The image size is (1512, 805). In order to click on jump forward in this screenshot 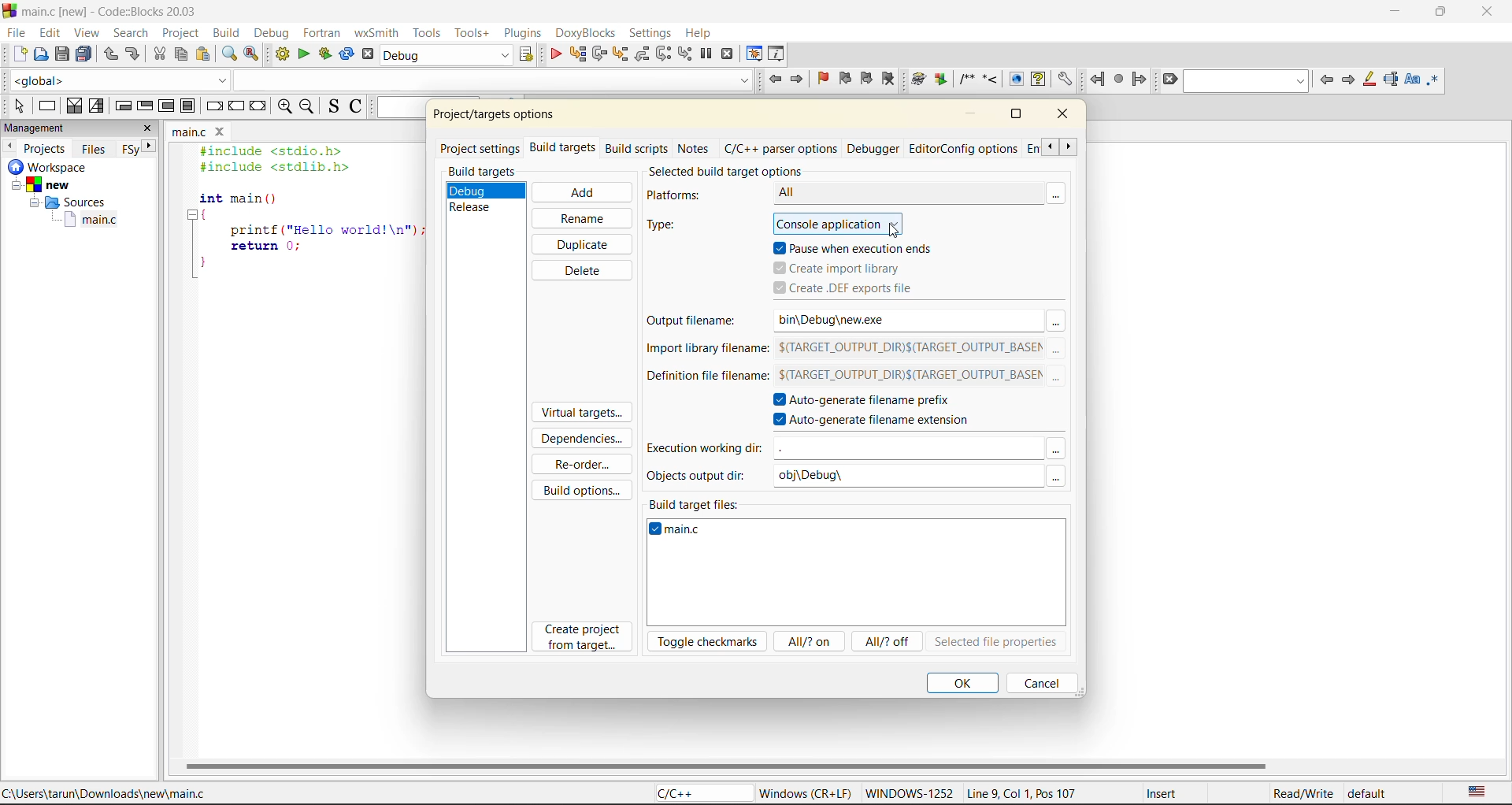, I will do `click(1140, 81)`.